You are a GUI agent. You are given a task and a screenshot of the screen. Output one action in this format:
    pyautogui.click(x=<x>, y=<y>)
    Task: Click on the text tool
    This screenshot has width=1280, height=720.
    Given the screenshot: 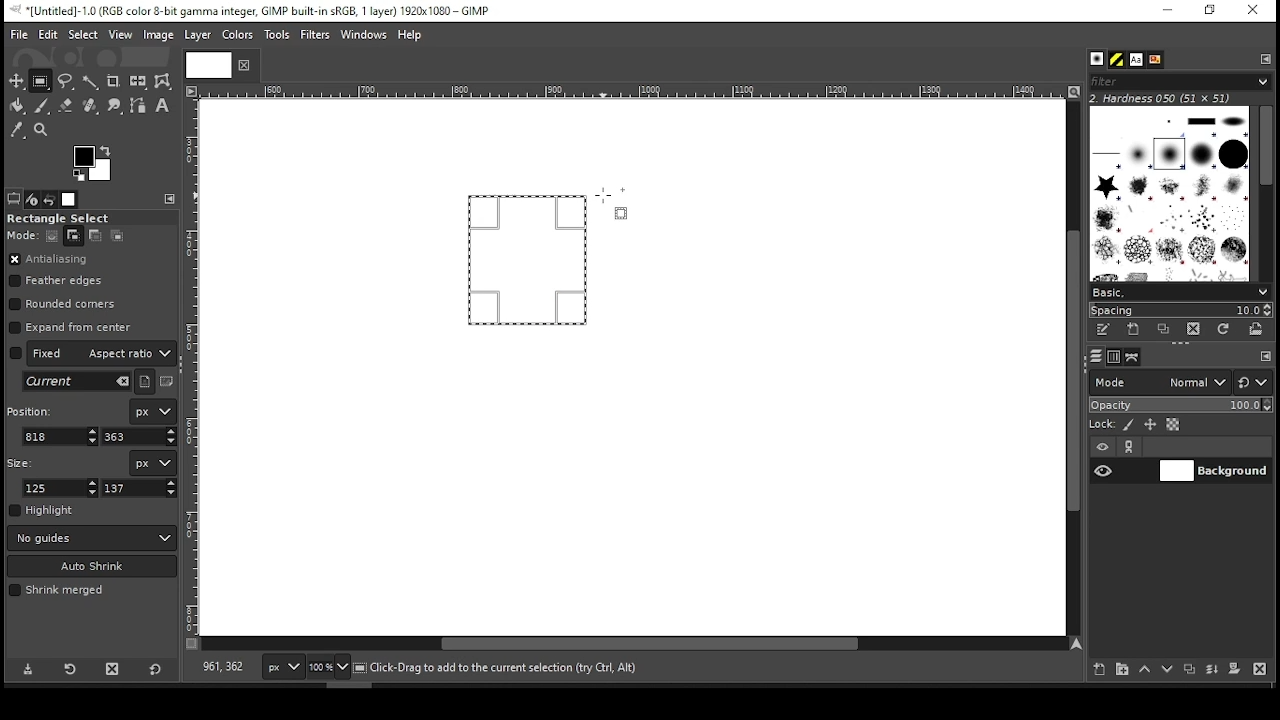 What is the action you would take?
    pyautogui.click(x=162, y=107)
    